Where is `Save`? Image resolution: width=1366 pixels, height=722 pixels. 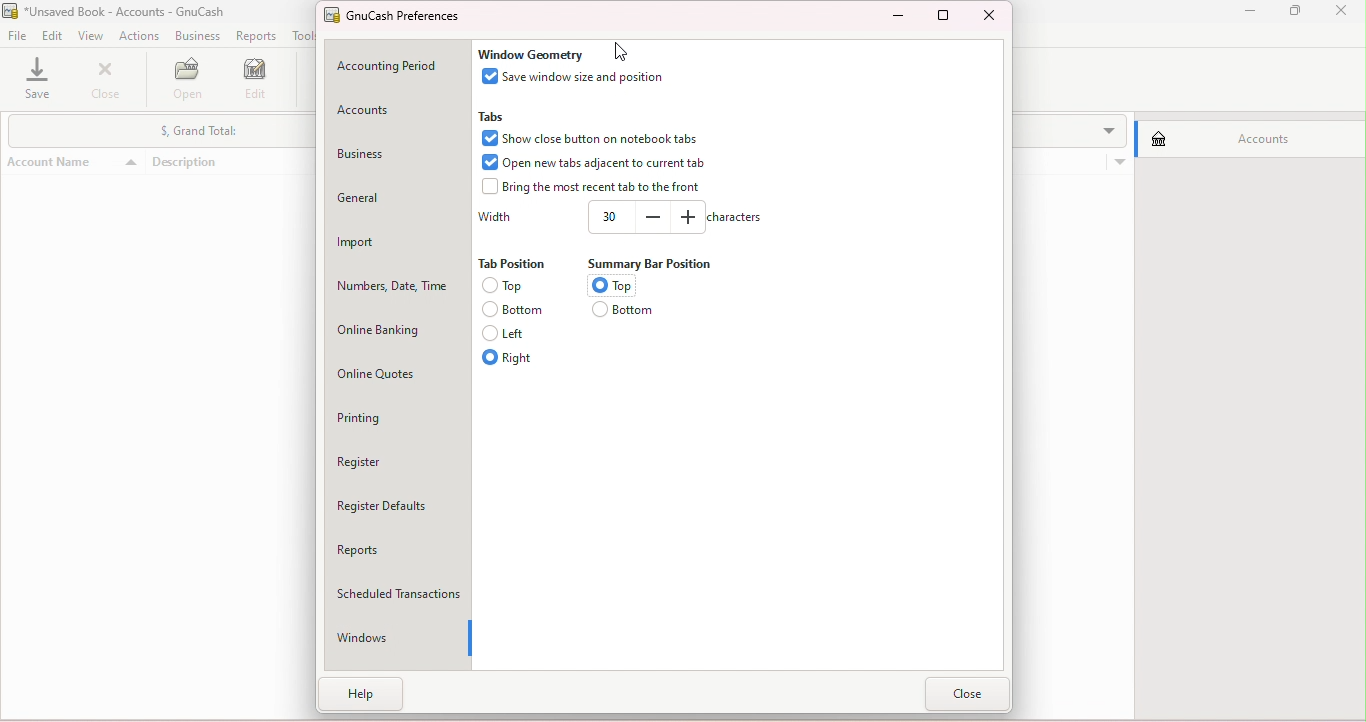
Save is located at coordinates (41, 81).